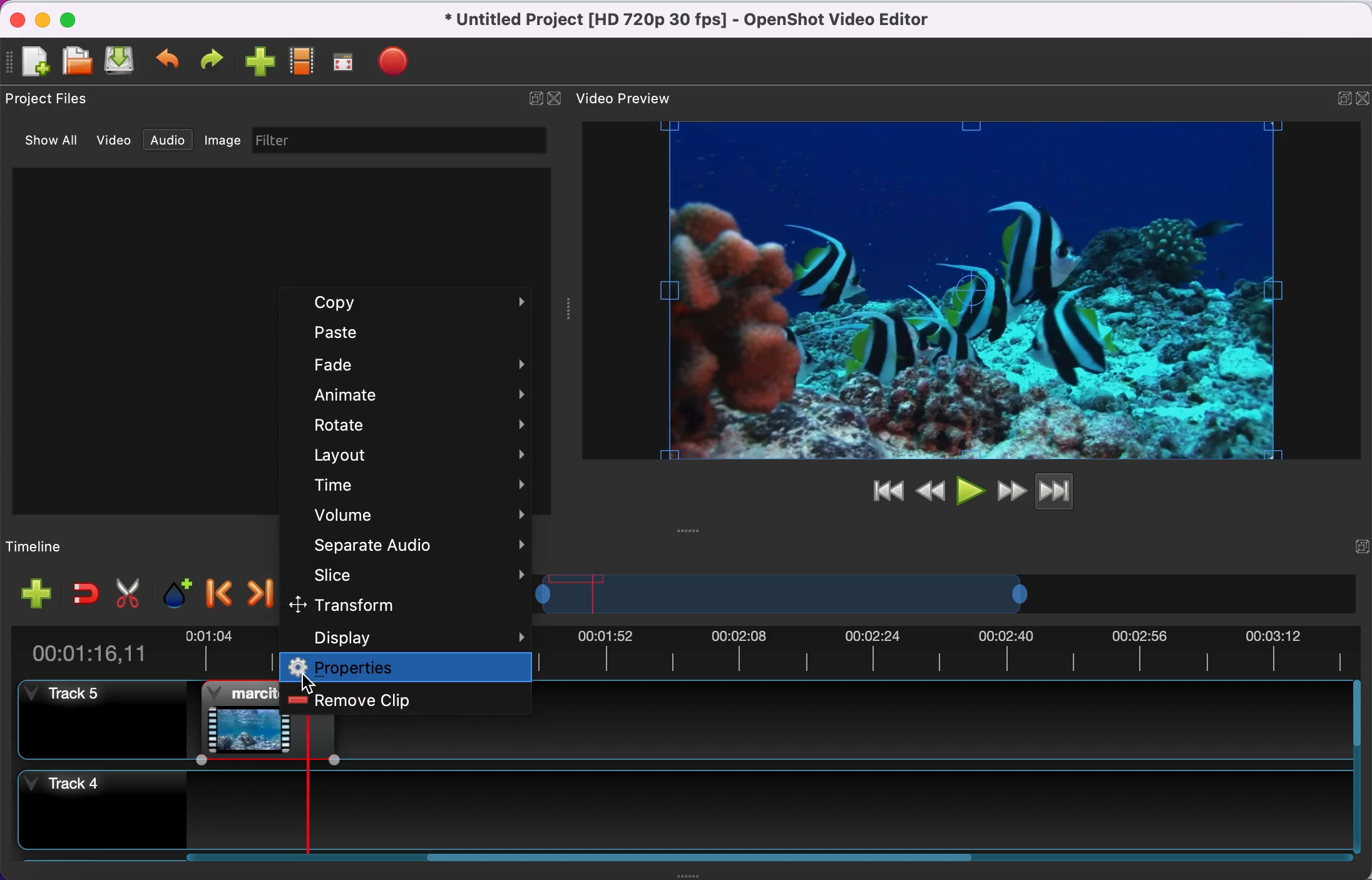  I want to click on undo, so click(170, 62).